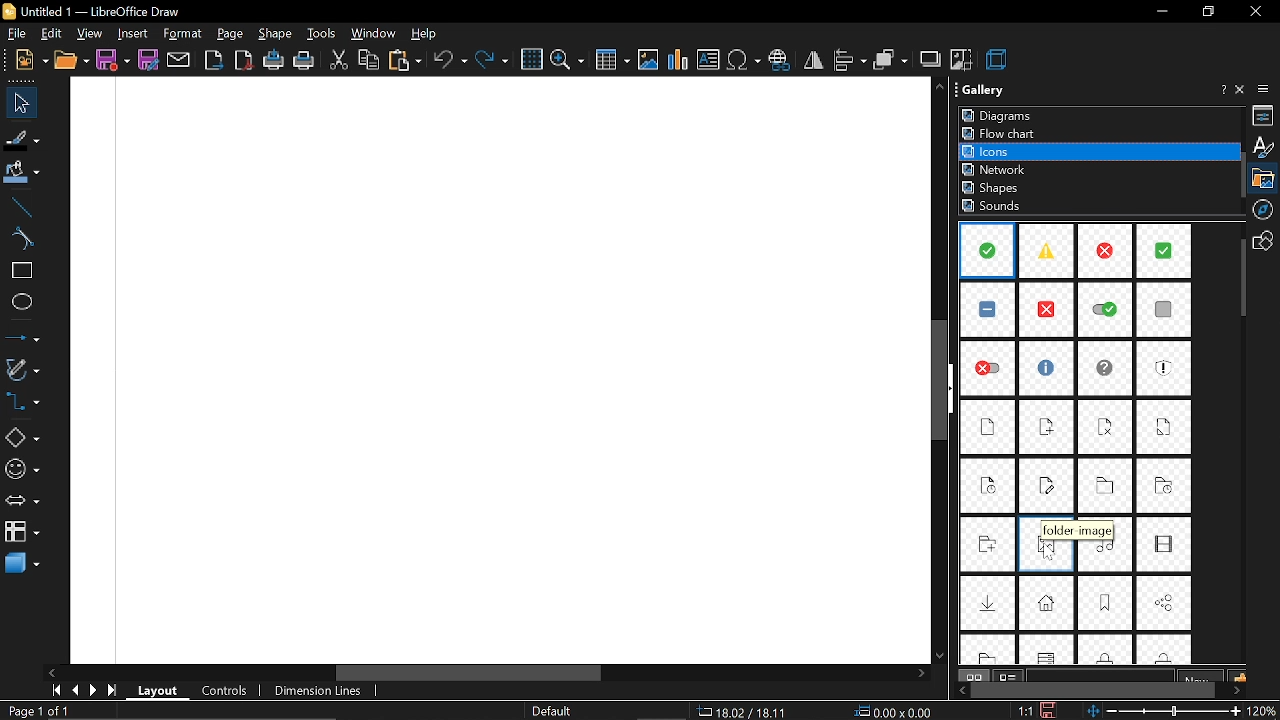 Image resolution: width=1280 pixels, height=720 pixels. What do you see at coordinates (997, 169) in the screenshot?
I see `network ` at bounding box center [997, 169].